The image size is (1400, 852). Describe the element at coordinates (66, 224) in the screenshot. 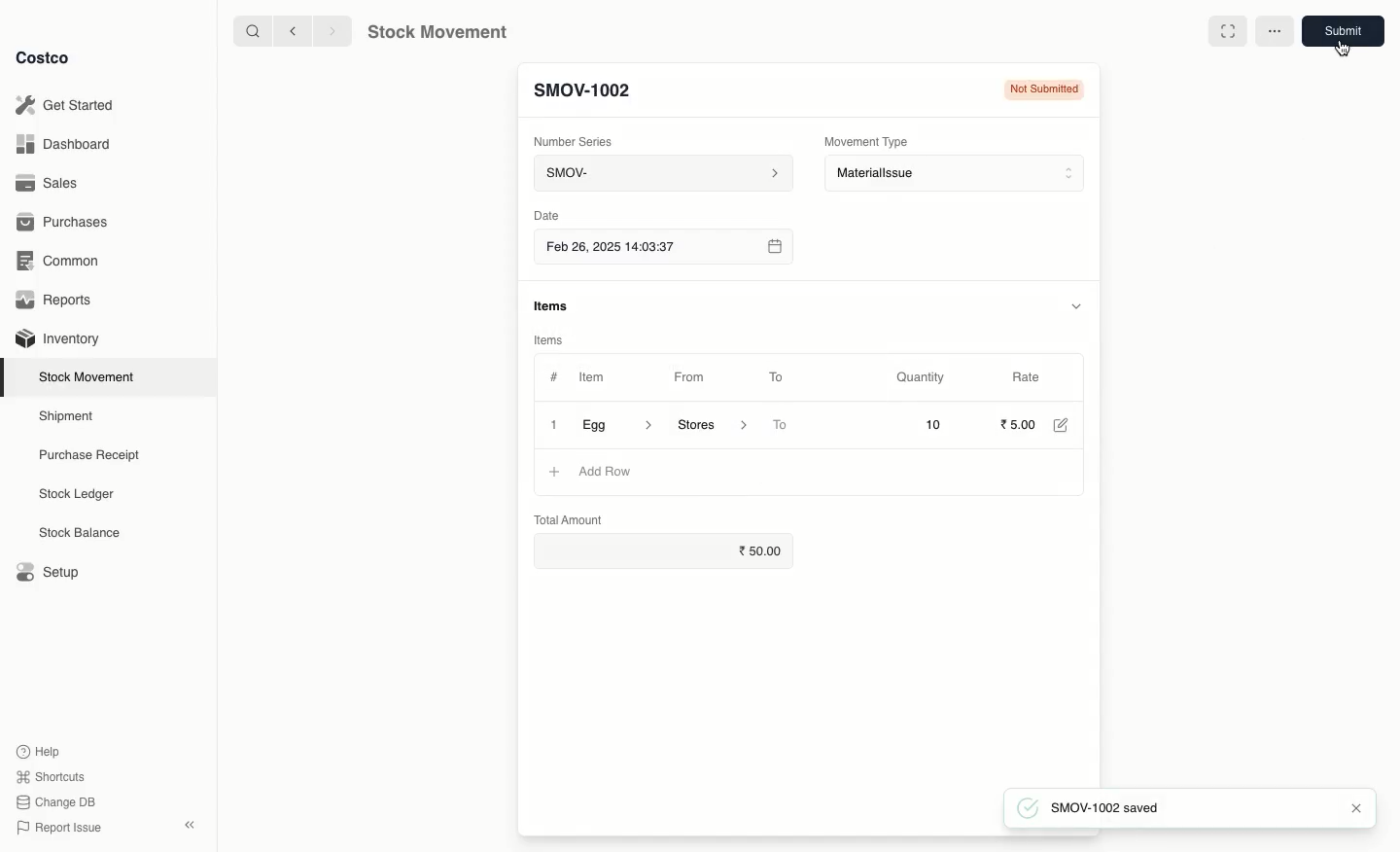

I see `Purchases` at that location.